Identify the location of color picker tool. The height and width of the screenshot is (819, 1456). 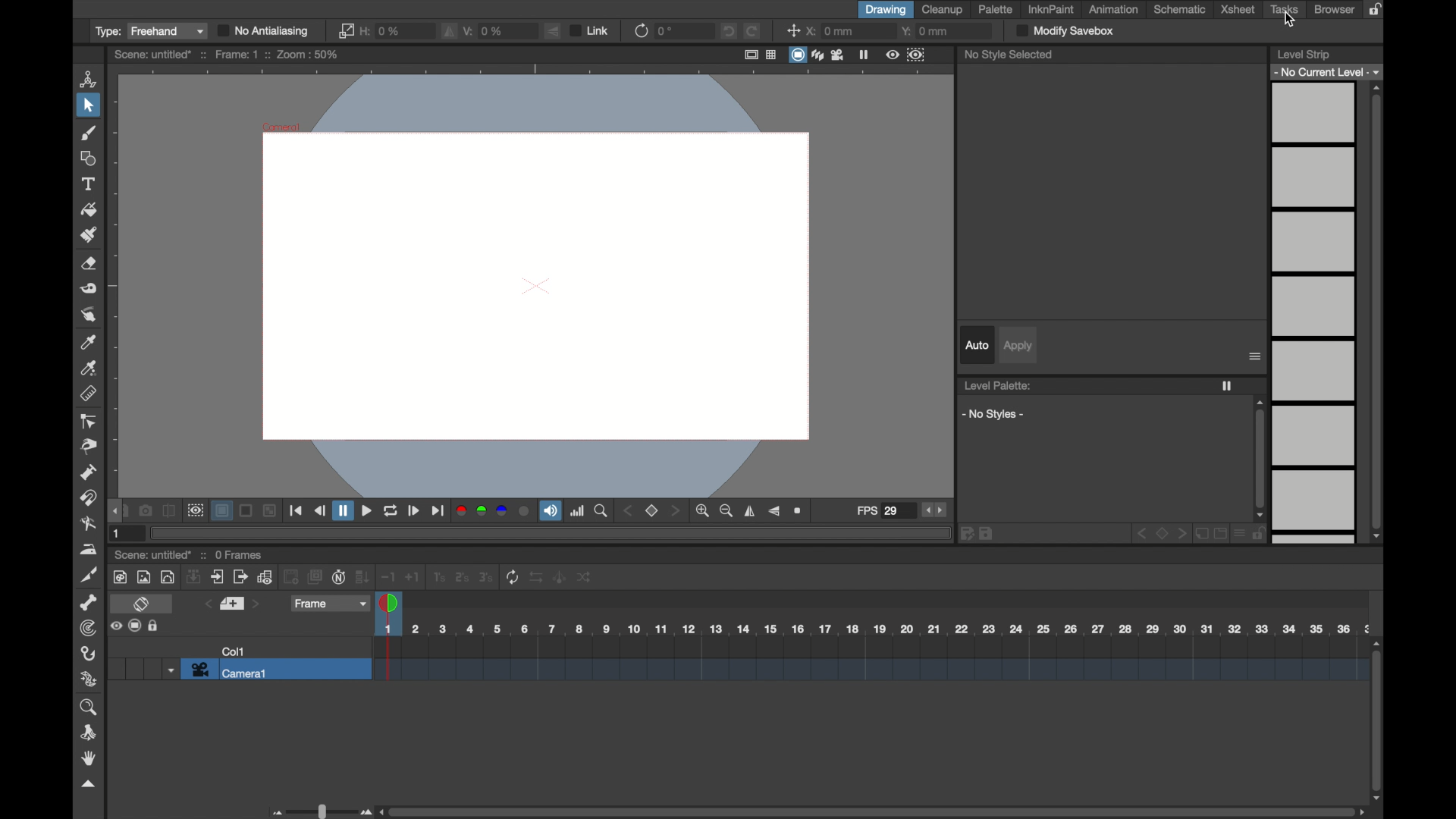
(90, 342).